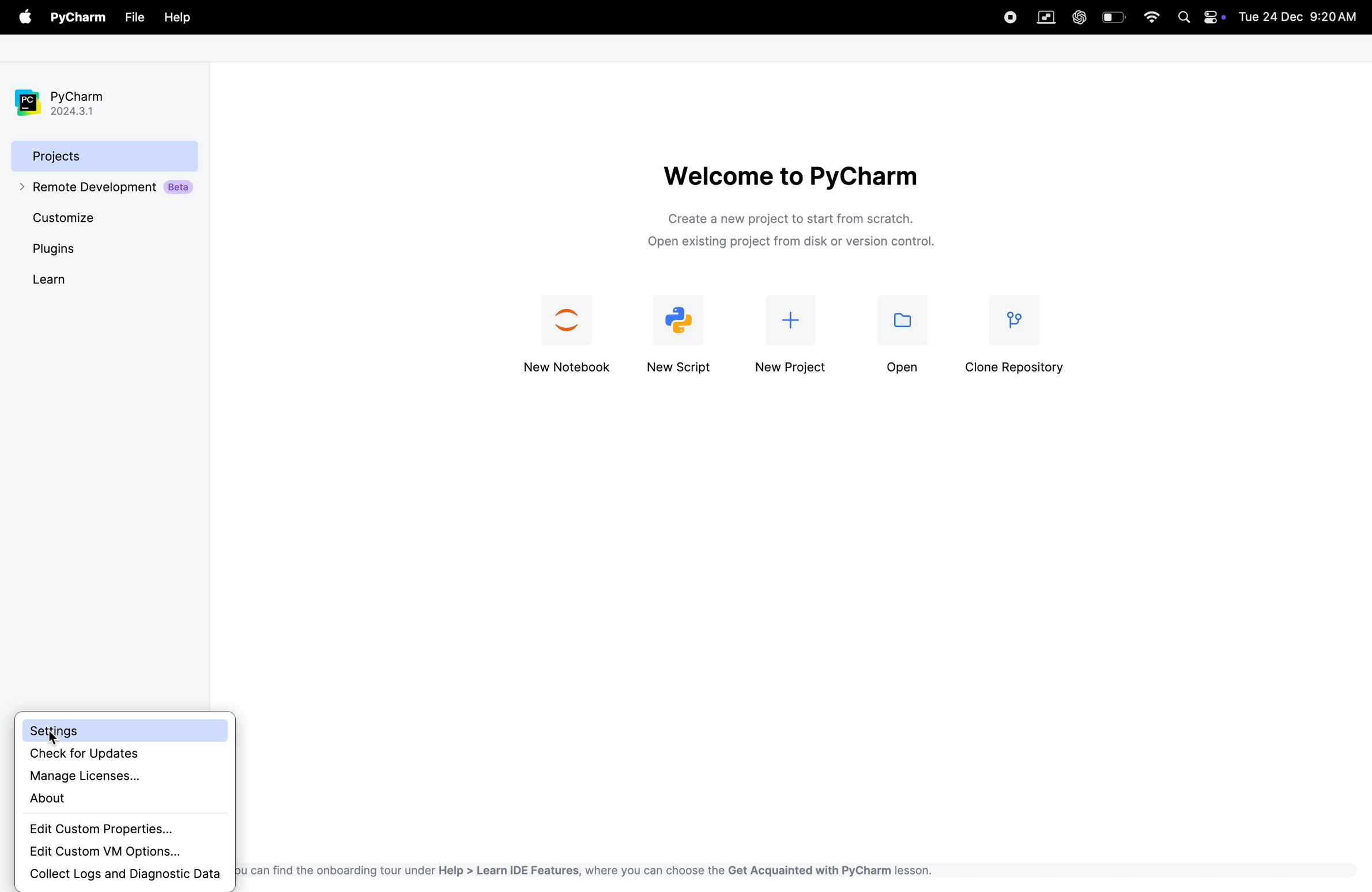 The image size is (1372, 892). Describe the element at coordinates (116, 830) in the screenshot. I see `edit custom properties` at that location.